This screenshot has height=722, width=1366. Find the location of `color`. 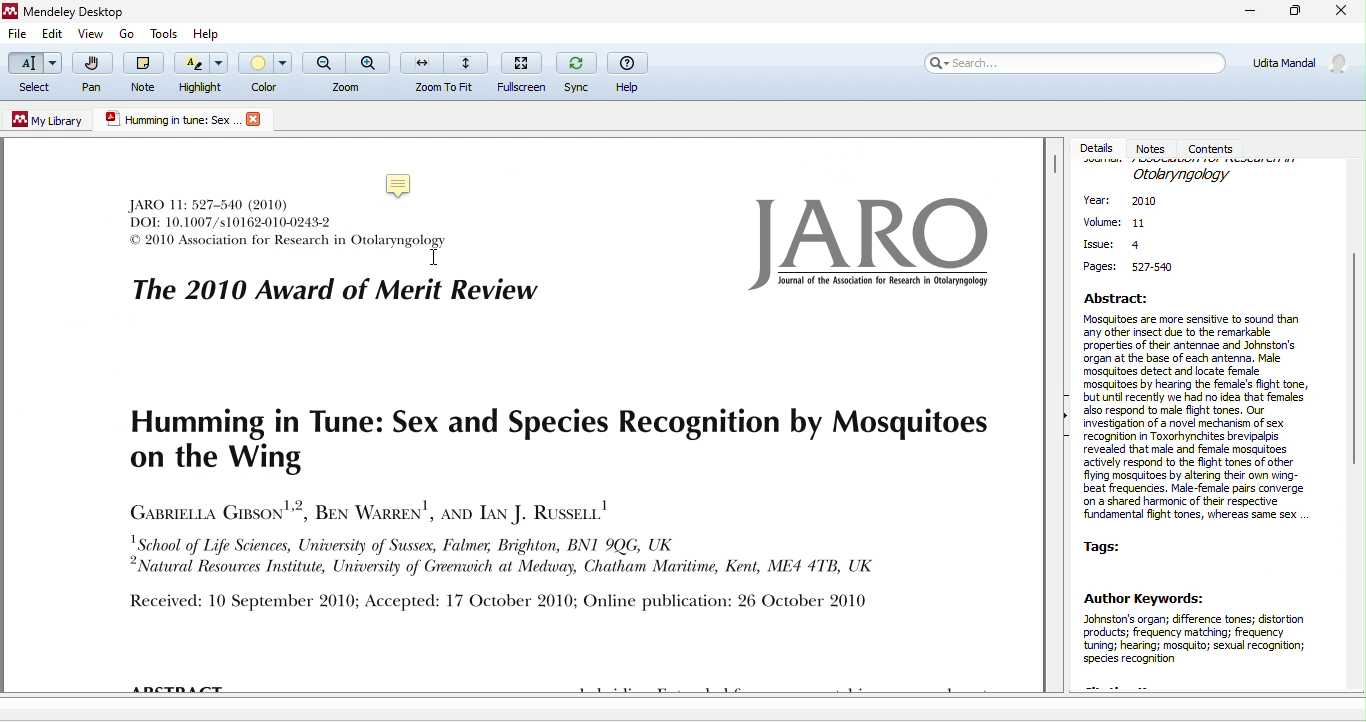

color is located at coordinates (266, 70).